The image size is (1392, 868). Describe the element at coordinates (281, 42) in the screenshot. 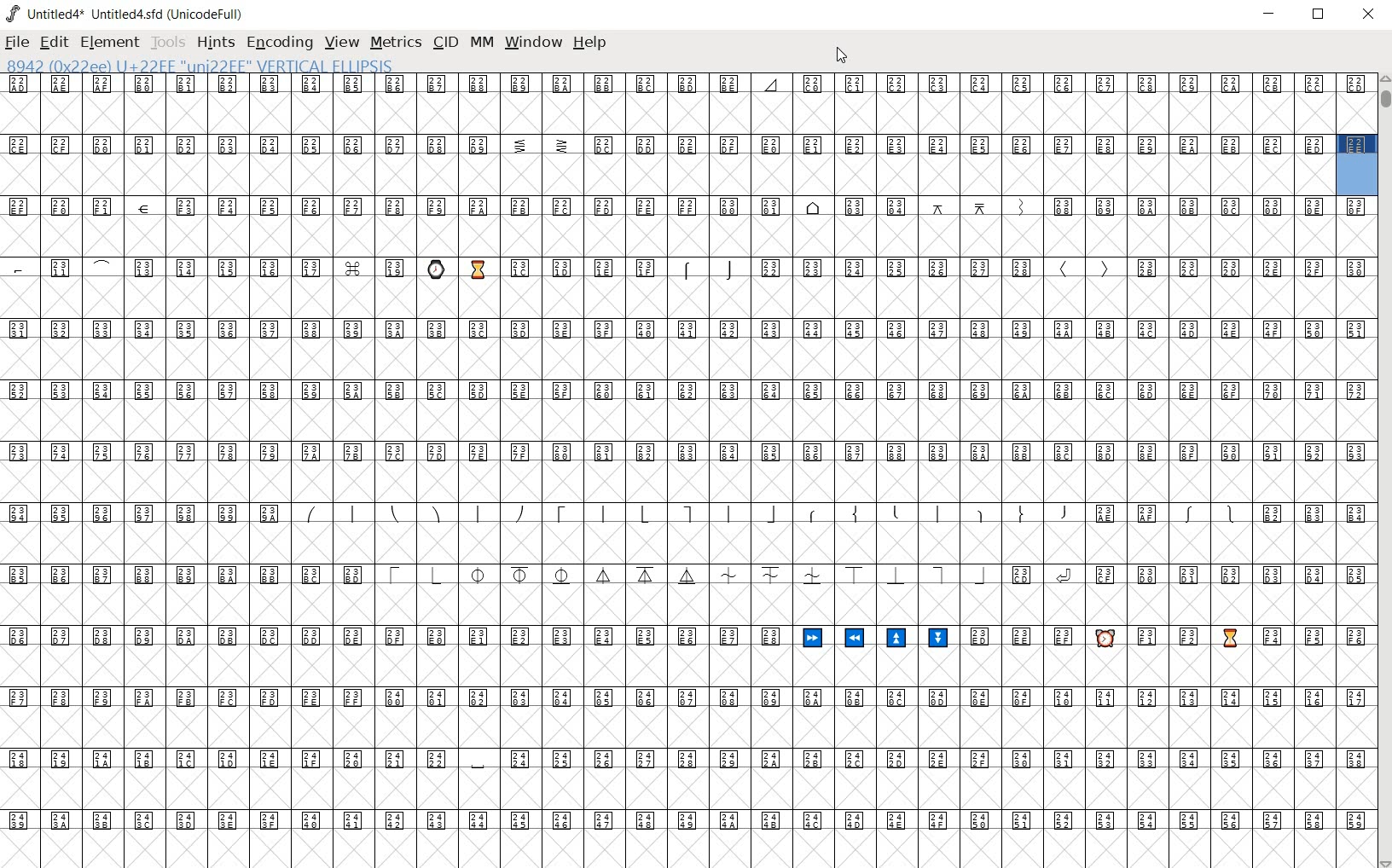

I see `ENCODING` at that location.